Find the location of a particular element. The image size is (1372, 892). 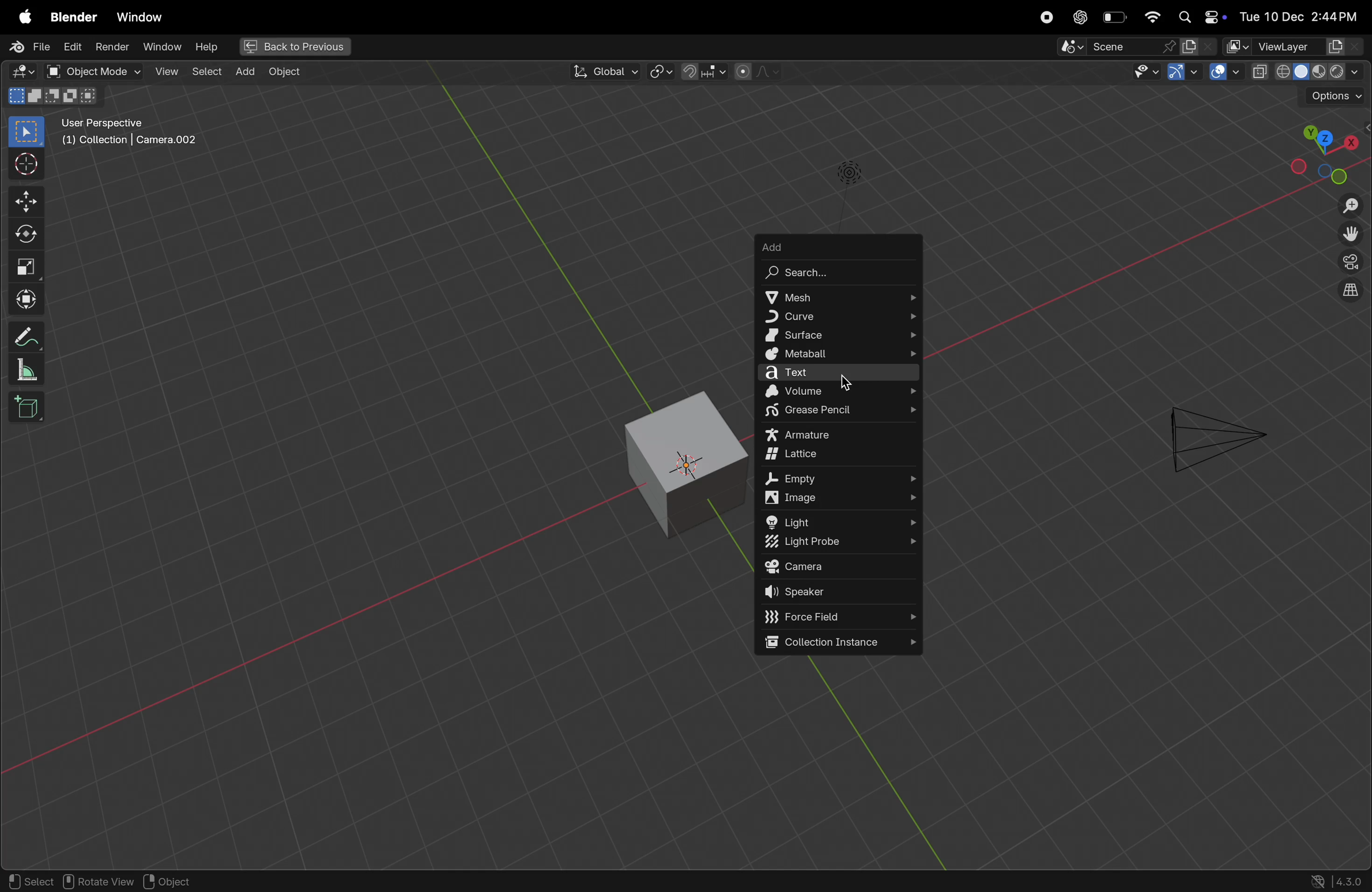

User perspective is located at coordinates (128, 137).